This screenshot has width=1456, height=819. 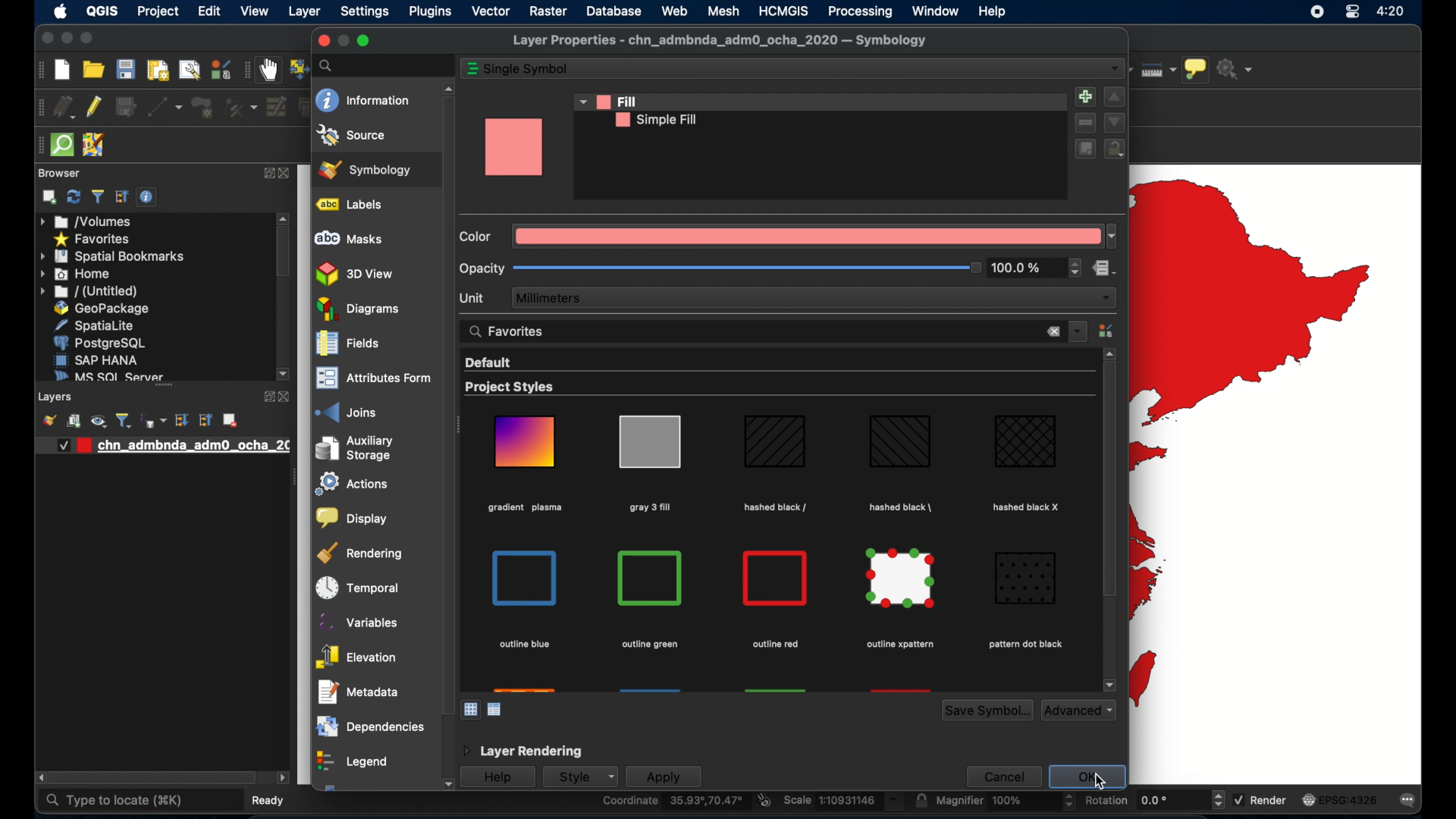 What do you see at coordinates (64, 108) in the screenshot?
I see `current edits` at bounding box center [64, 108].